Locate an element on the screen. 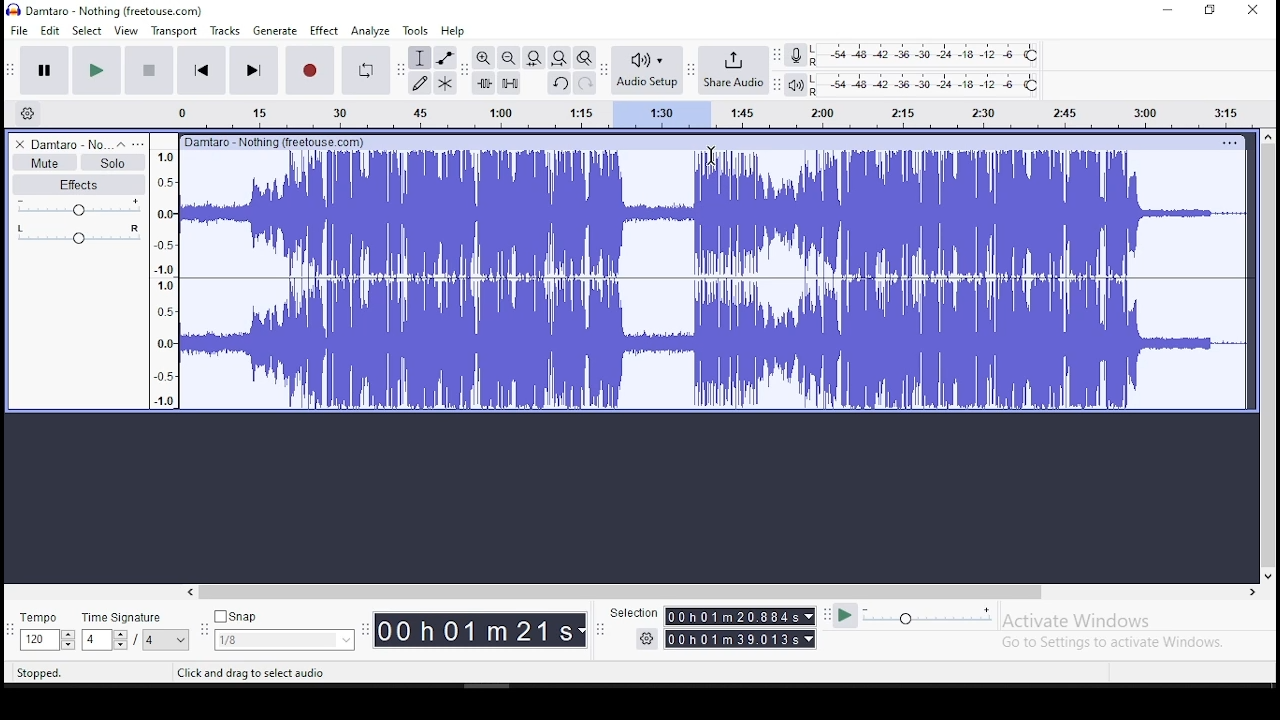   is located at coordinates (11, 68).